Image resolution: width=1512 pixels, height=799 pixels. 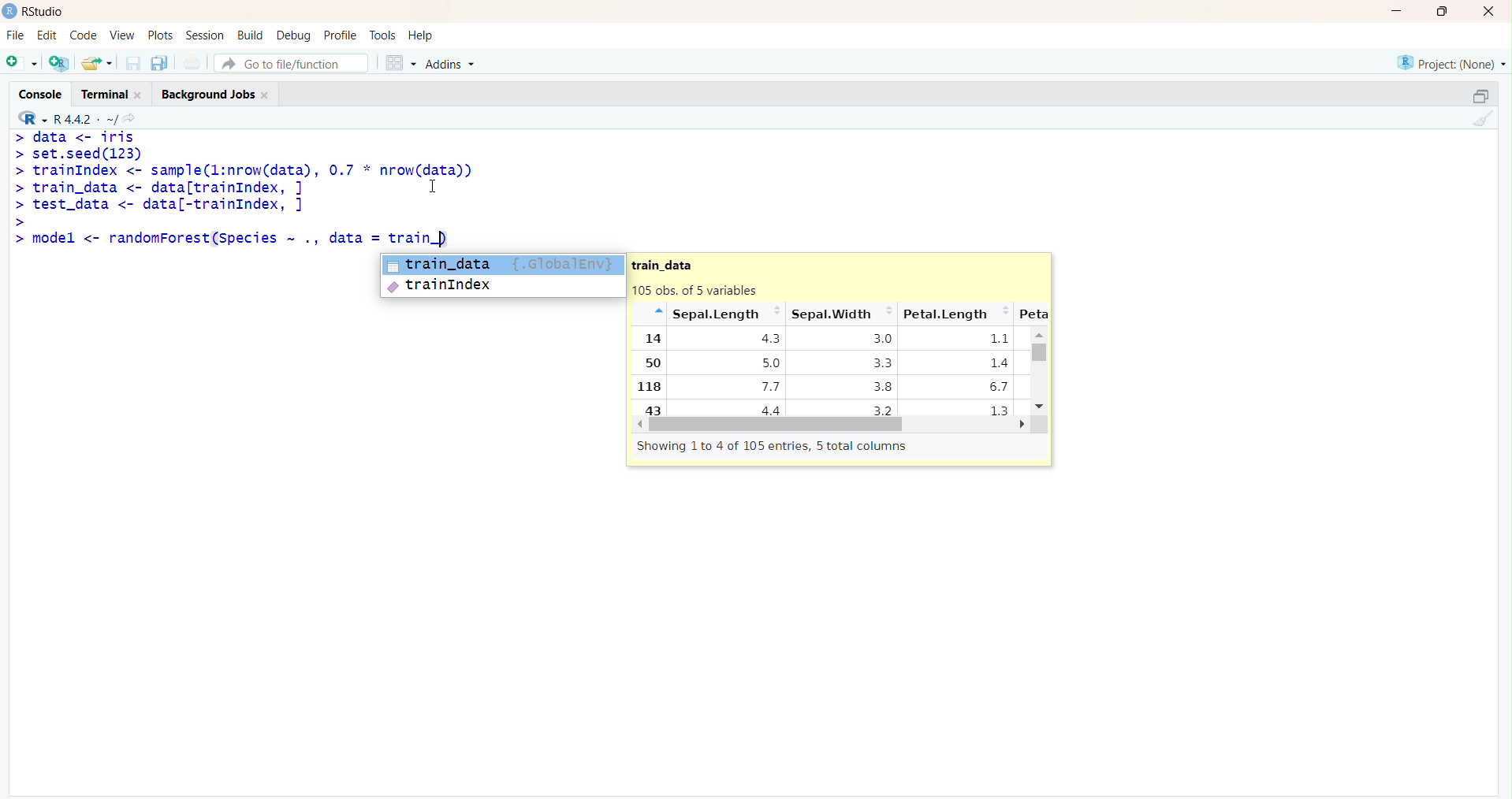 What do you see at coordinates (641, 423) in the screenshot?
I see `Left` at bounding box center [641, 423].